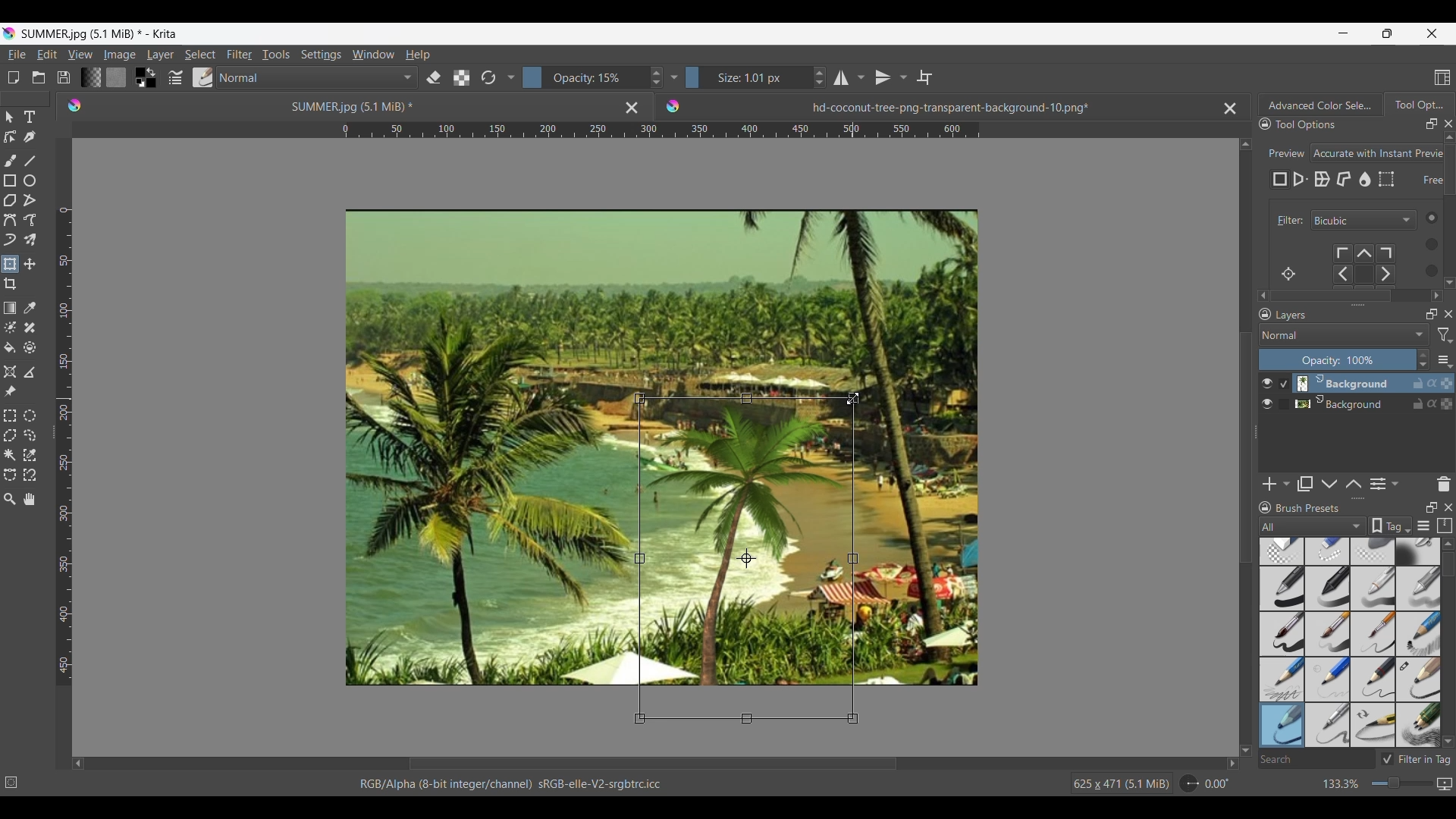 This screenshot has height=819, width=1456. Describe the element at coordinates (1391, 526) in the screenshot. I see `Show the tag box options` at that location.